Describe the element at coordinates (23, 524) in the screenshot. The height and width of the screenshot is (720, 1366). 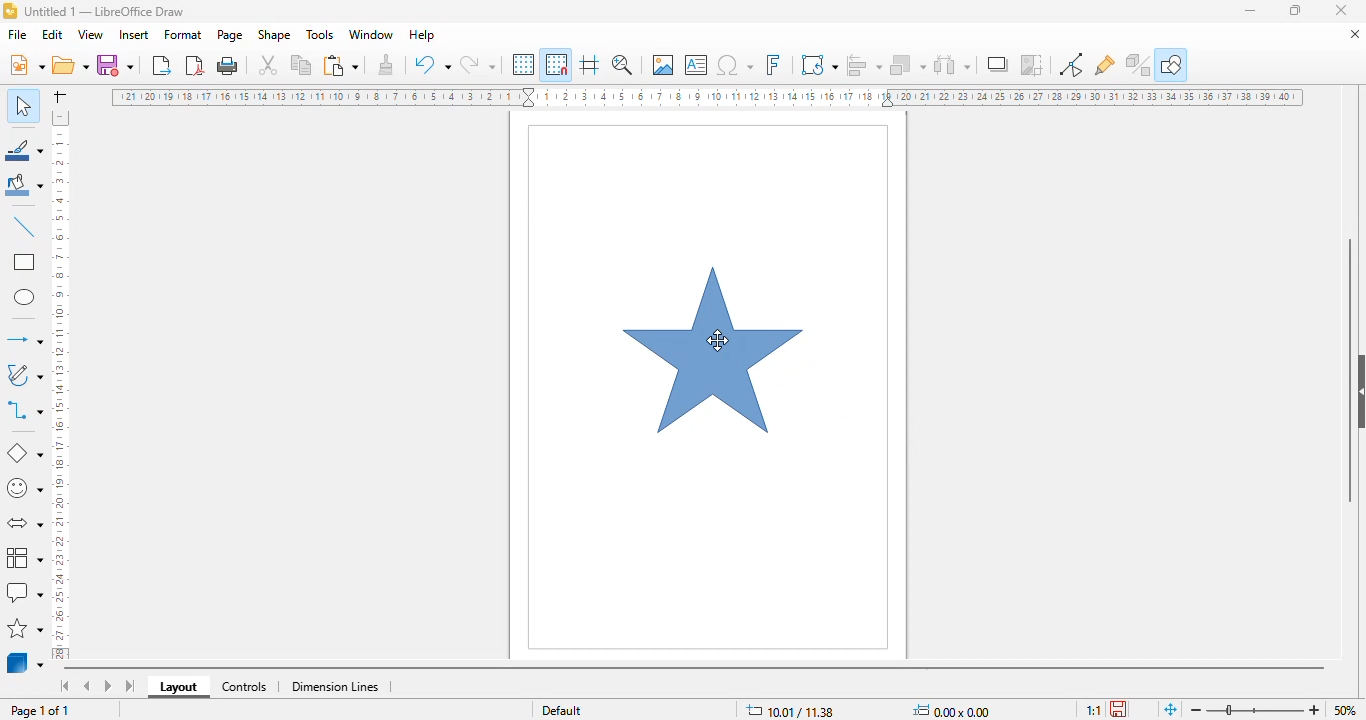
I see `block arrows` at that location.